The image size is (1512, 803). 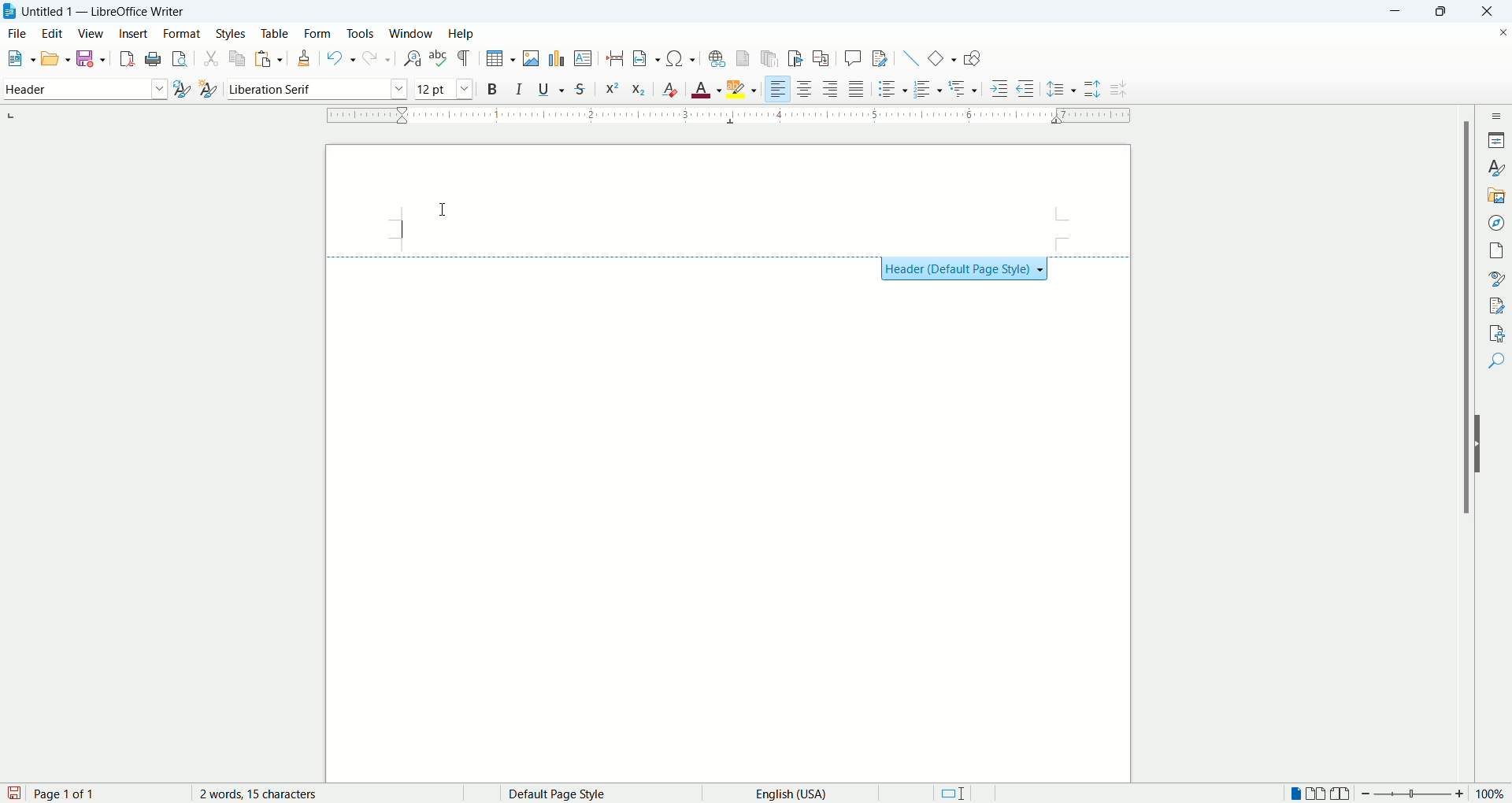 I want to click on styles, so click(x=1499, y=166).